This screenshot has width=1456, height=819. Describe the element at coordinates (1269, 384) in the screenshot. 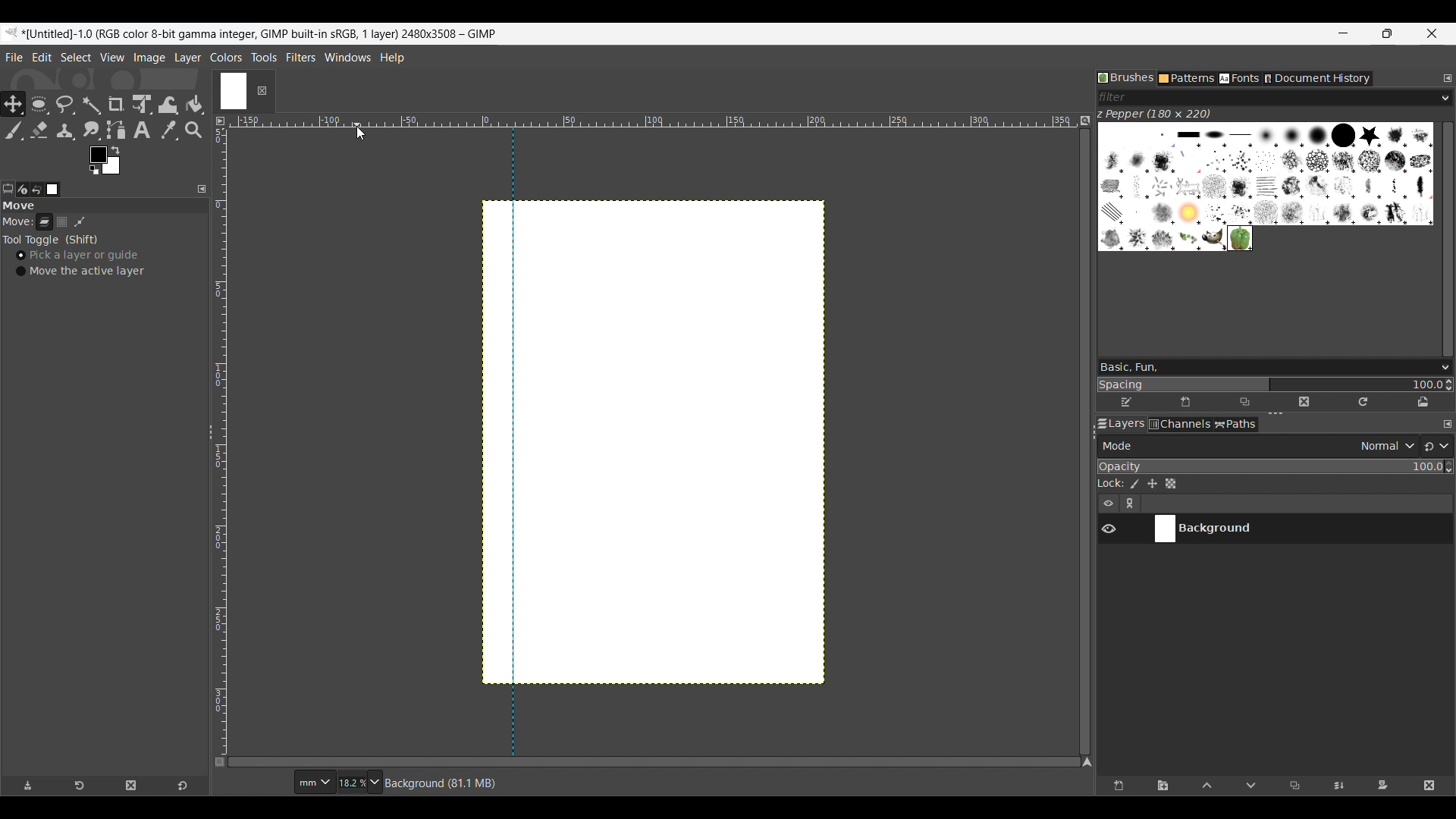

I see `Change spacing` at that location.